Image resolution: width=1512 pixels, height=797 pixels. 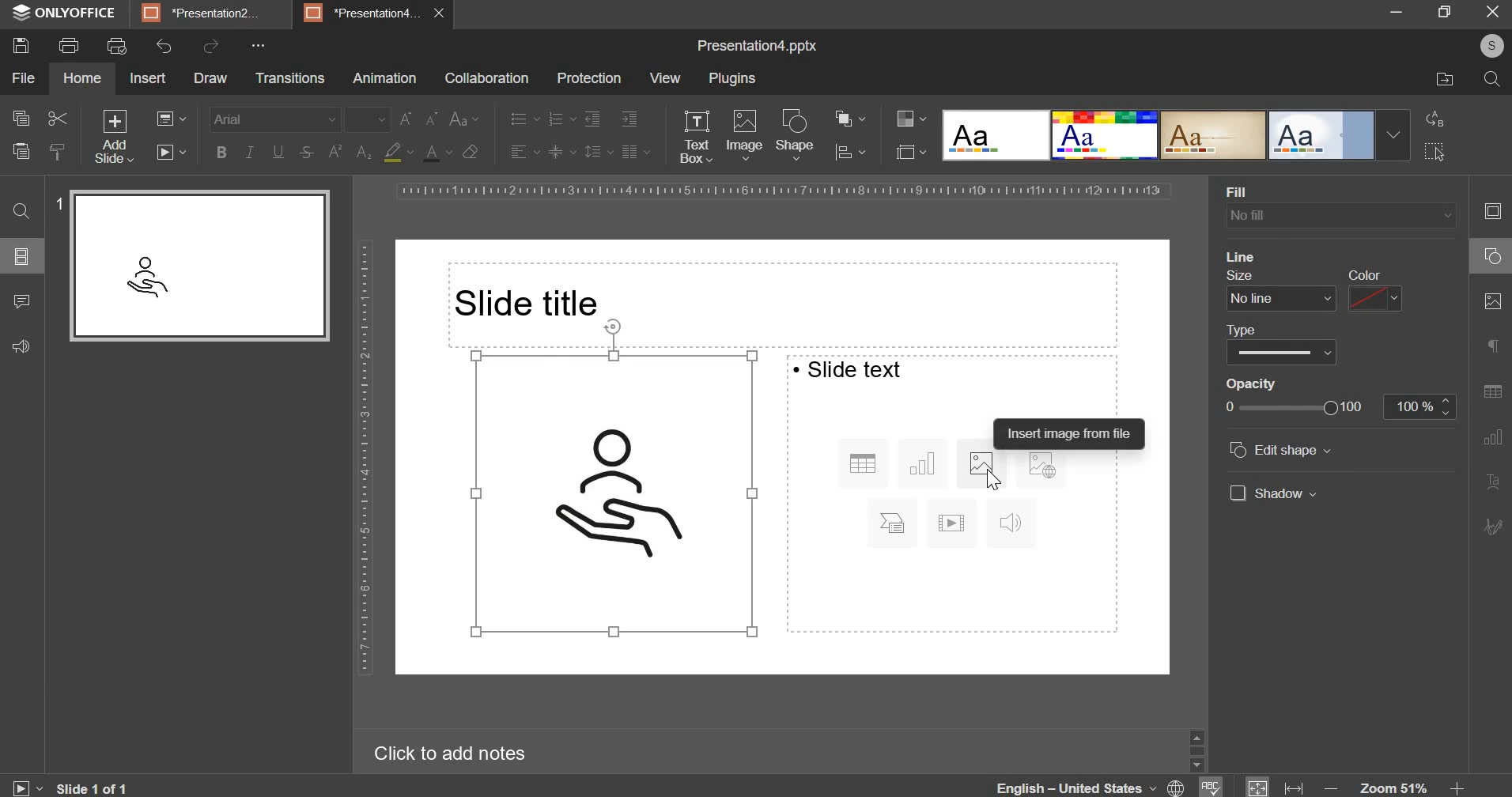 What do you see at coordinates (486, 80) in the screenshot?
I see `collaboration` at bounding box center [486, 80].